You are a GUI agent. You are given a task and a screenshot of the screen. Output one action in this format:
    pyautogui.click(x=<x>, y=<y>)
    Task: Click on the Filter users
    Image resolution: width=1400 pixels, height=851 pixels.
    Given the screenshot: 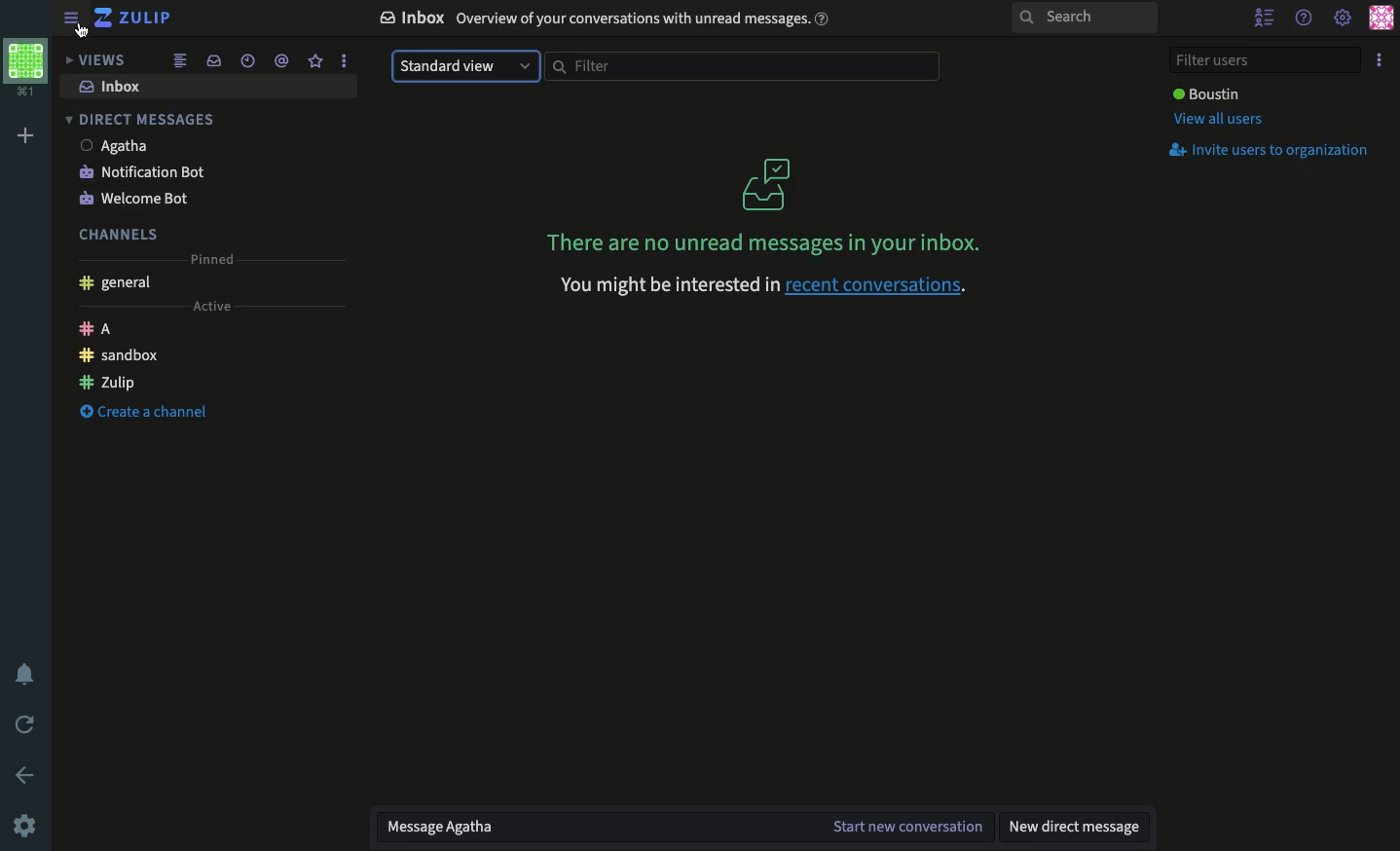 What is the action you would take?
    pyautogui.click(x=1268, y=61)
    